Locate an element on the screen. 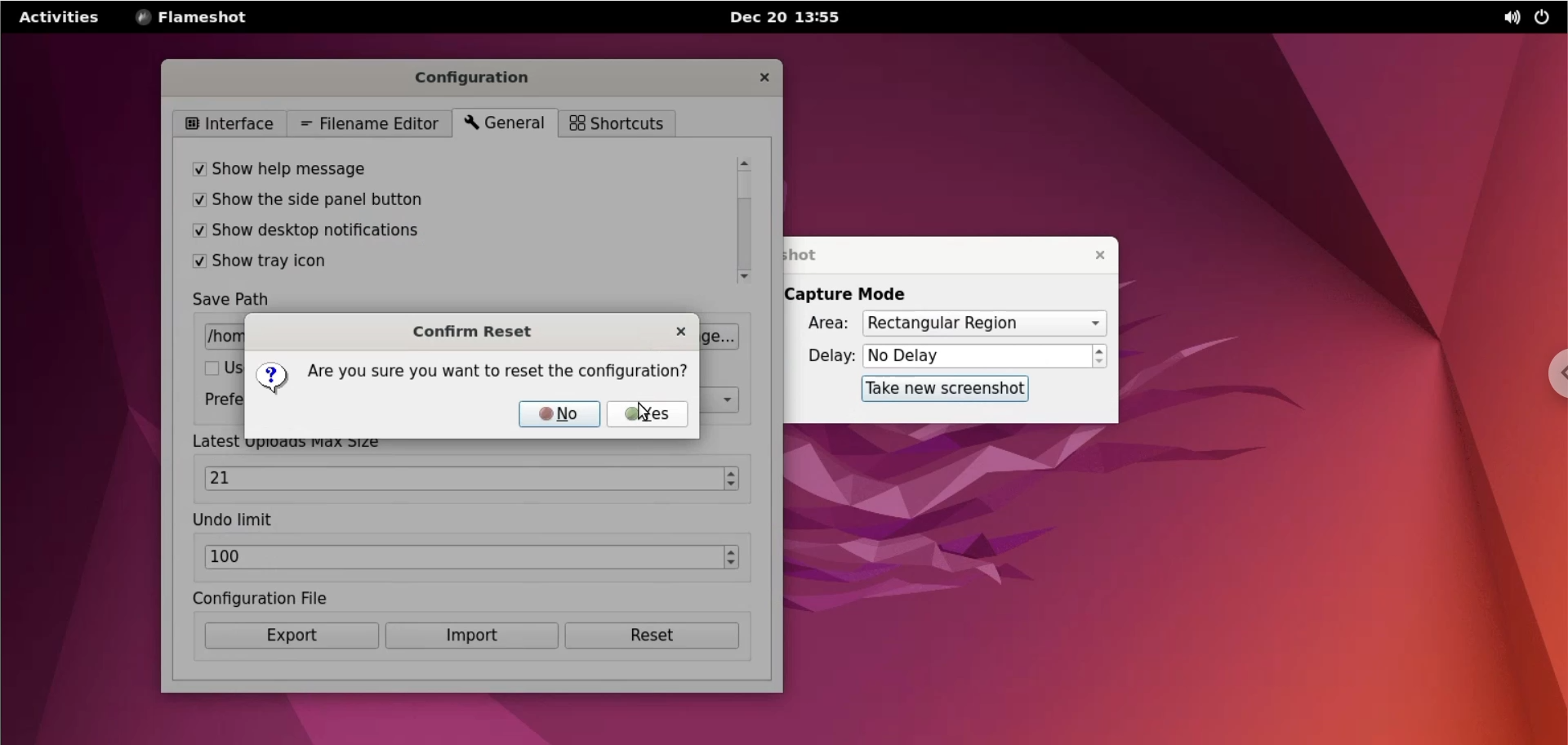 This screenshot has width=1568, height=745. delay options is located at coordinates (976, 356).